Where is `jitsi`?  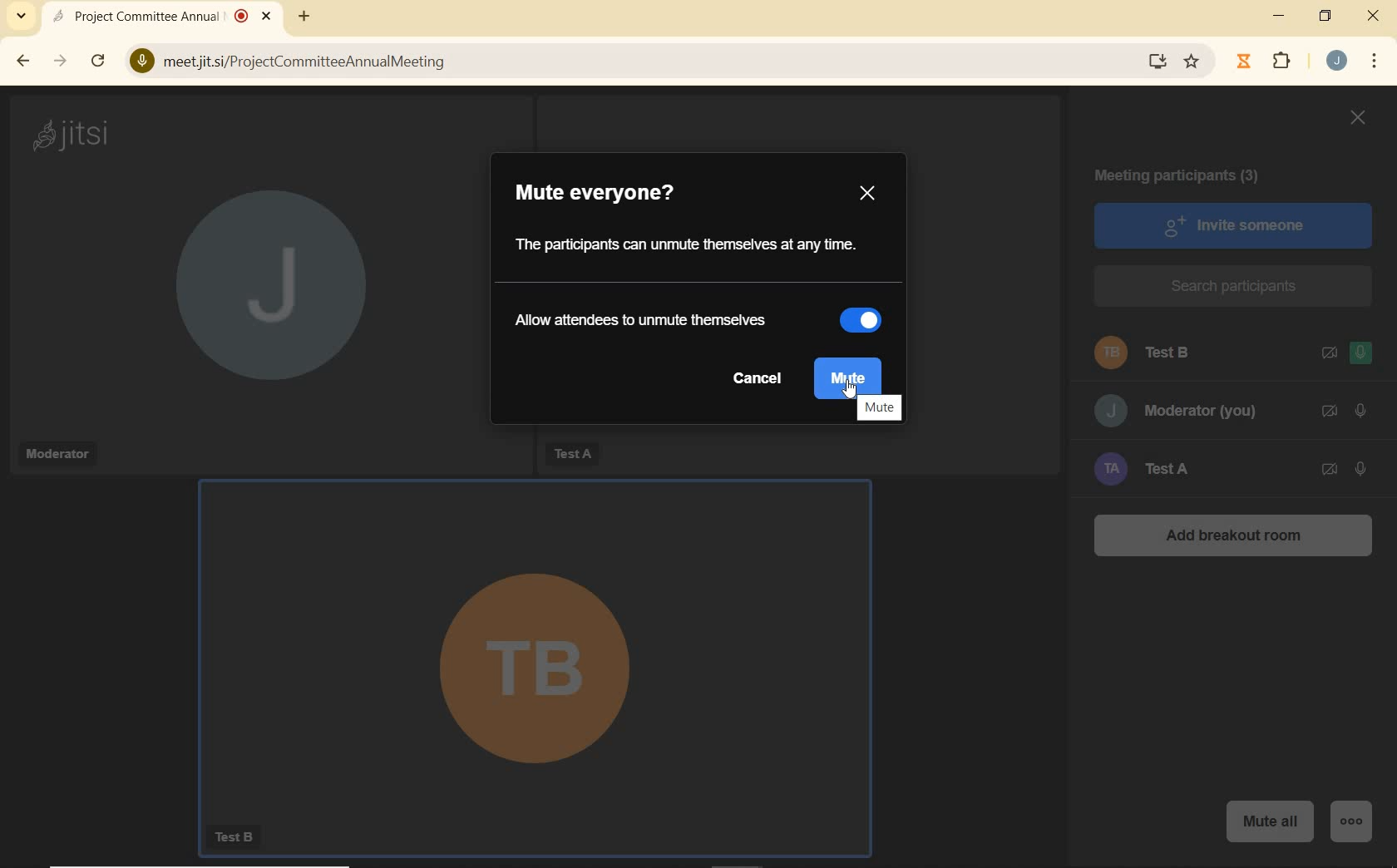
jitsi is located at coordinates (74, 134).